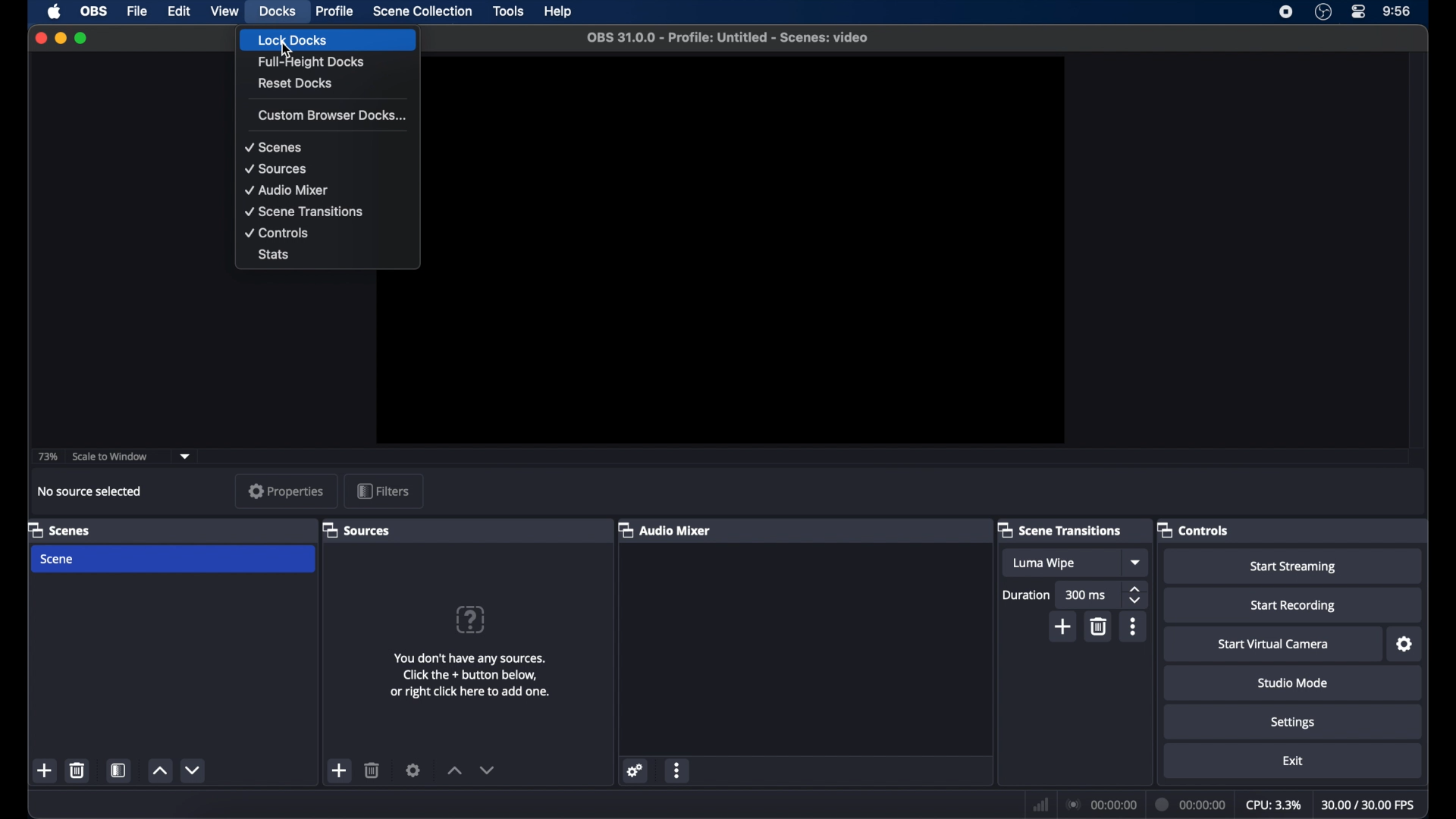  I want to click on fps, so click(1369, 804).